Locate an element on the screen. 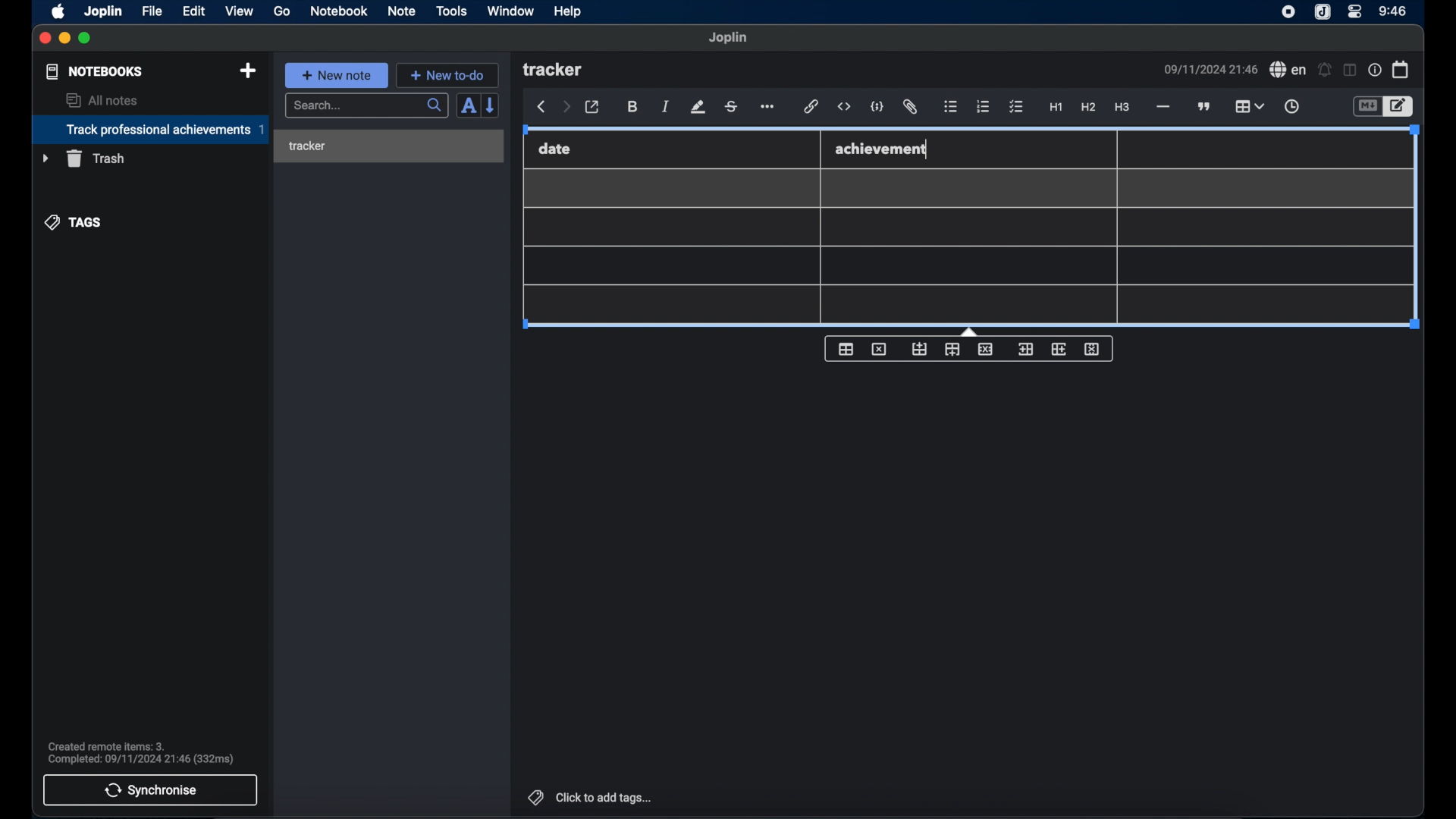  delete column is located at coordinates (1093, 350).